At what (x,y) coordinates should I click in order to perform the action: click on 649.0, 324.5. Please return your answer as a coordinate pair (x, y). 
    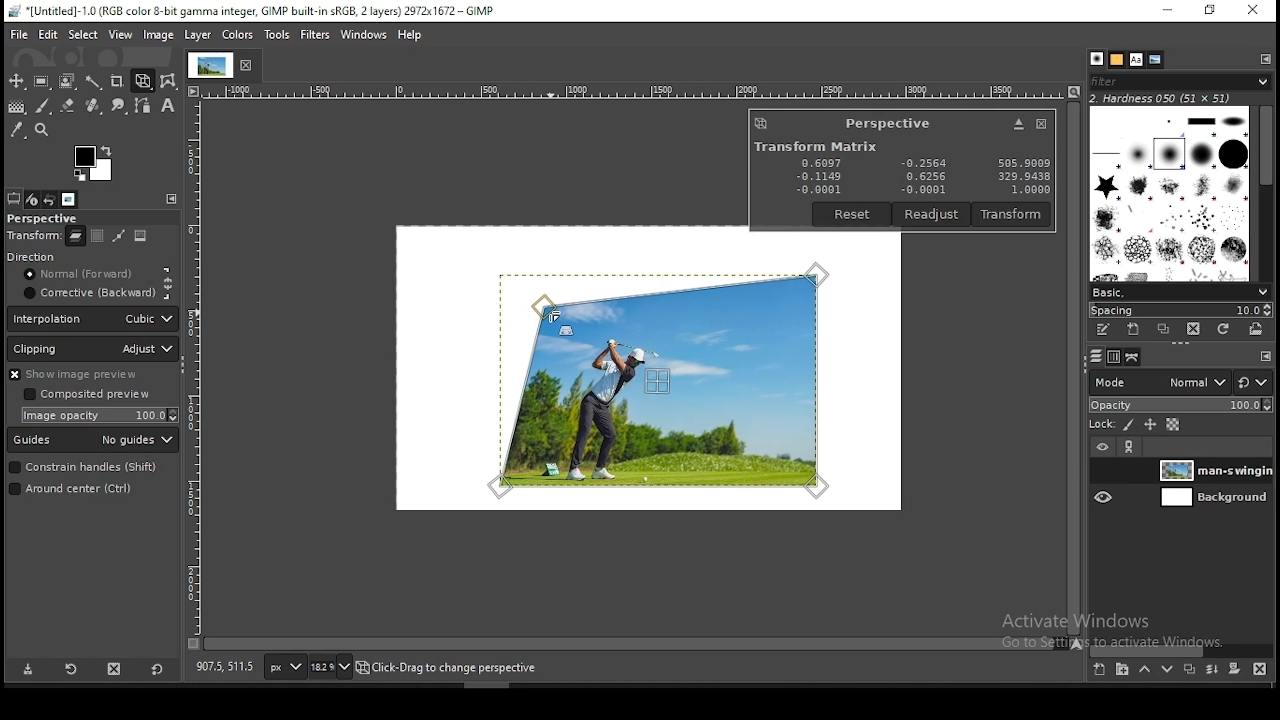
    Looking at the image, I should click on (224, 668).